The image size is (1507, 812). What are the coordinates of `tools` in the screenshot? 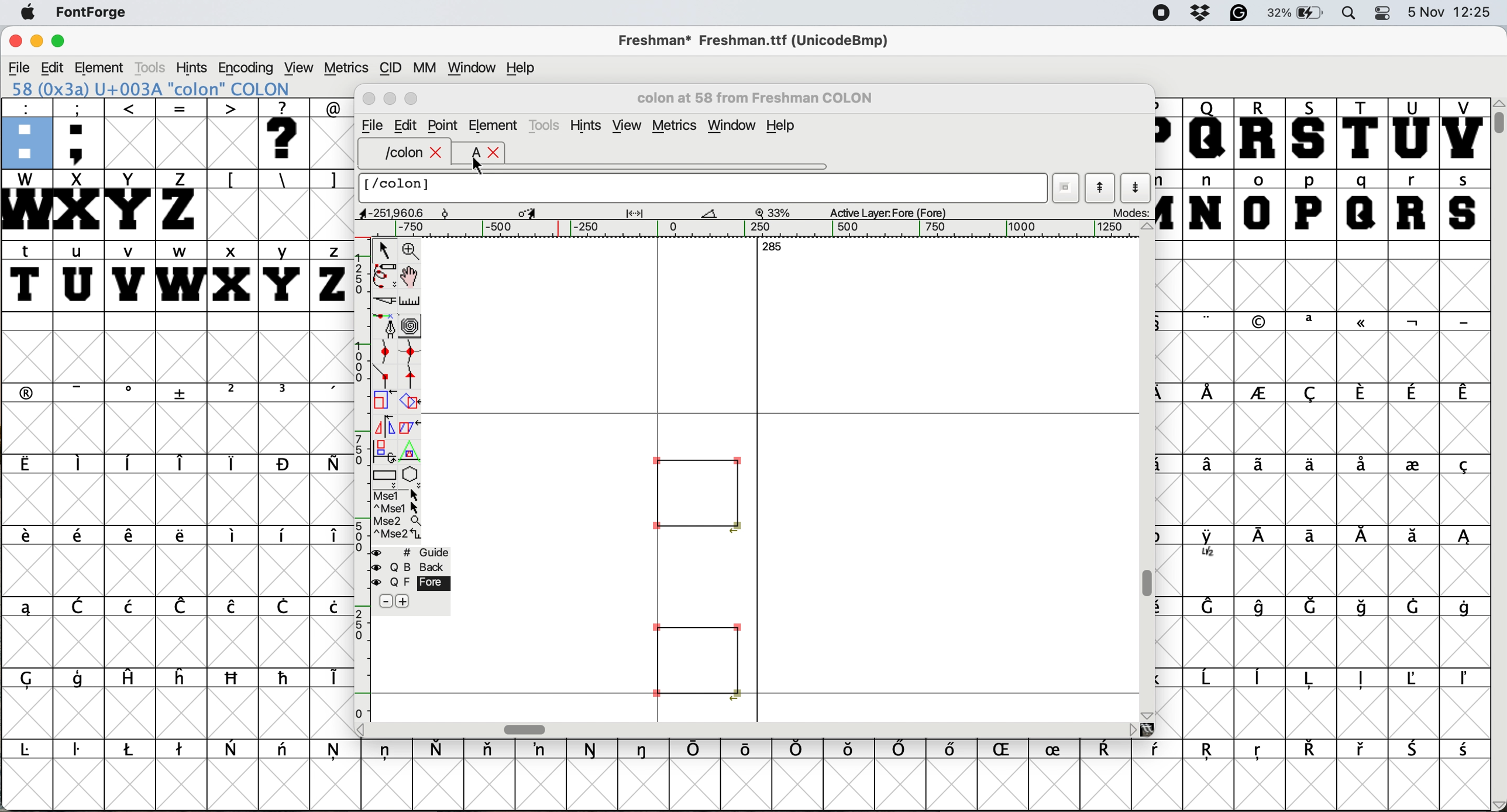 It's located at (546, 125).